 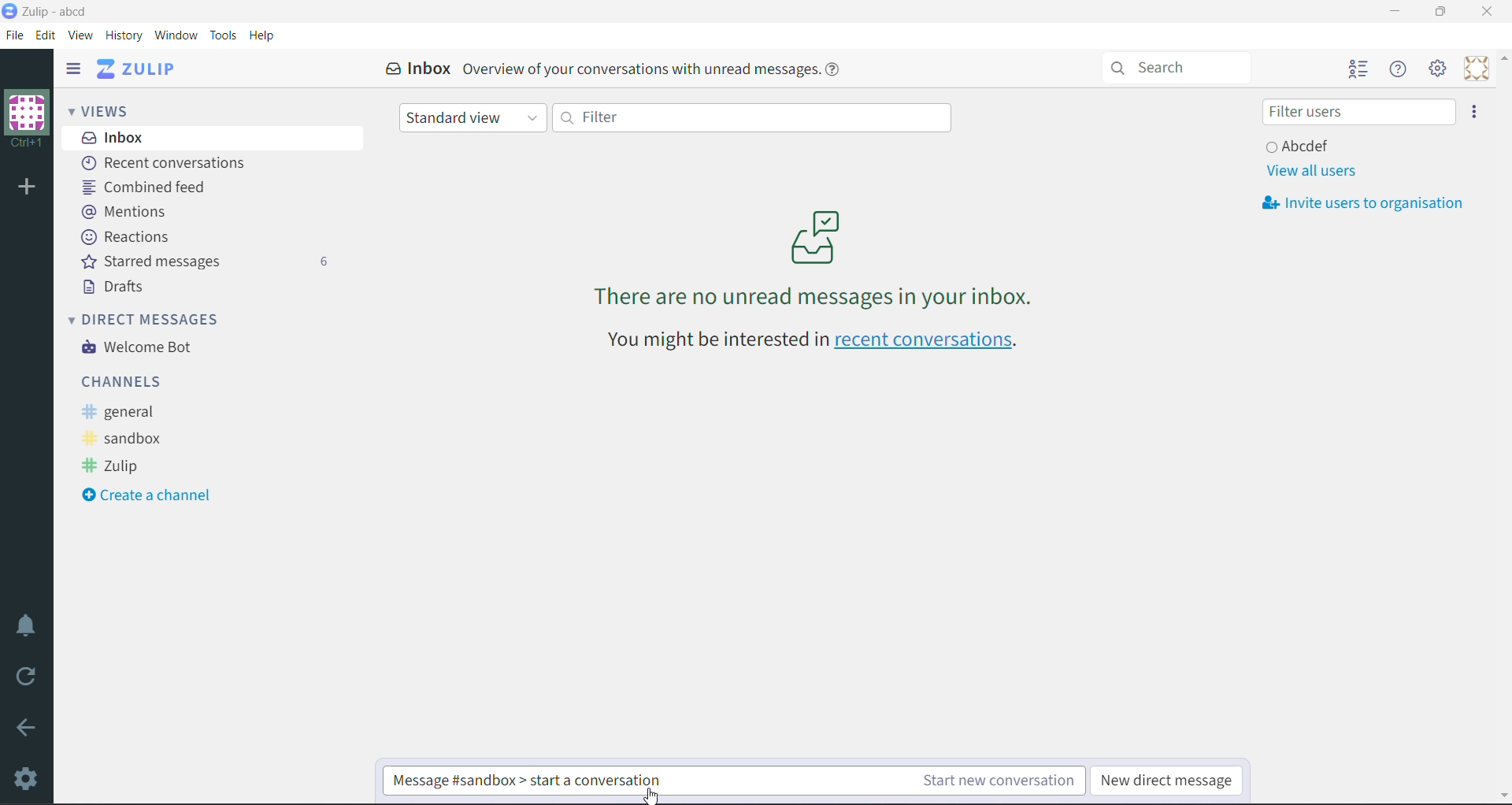 I want to click on Help, so click(x=262, y=35).